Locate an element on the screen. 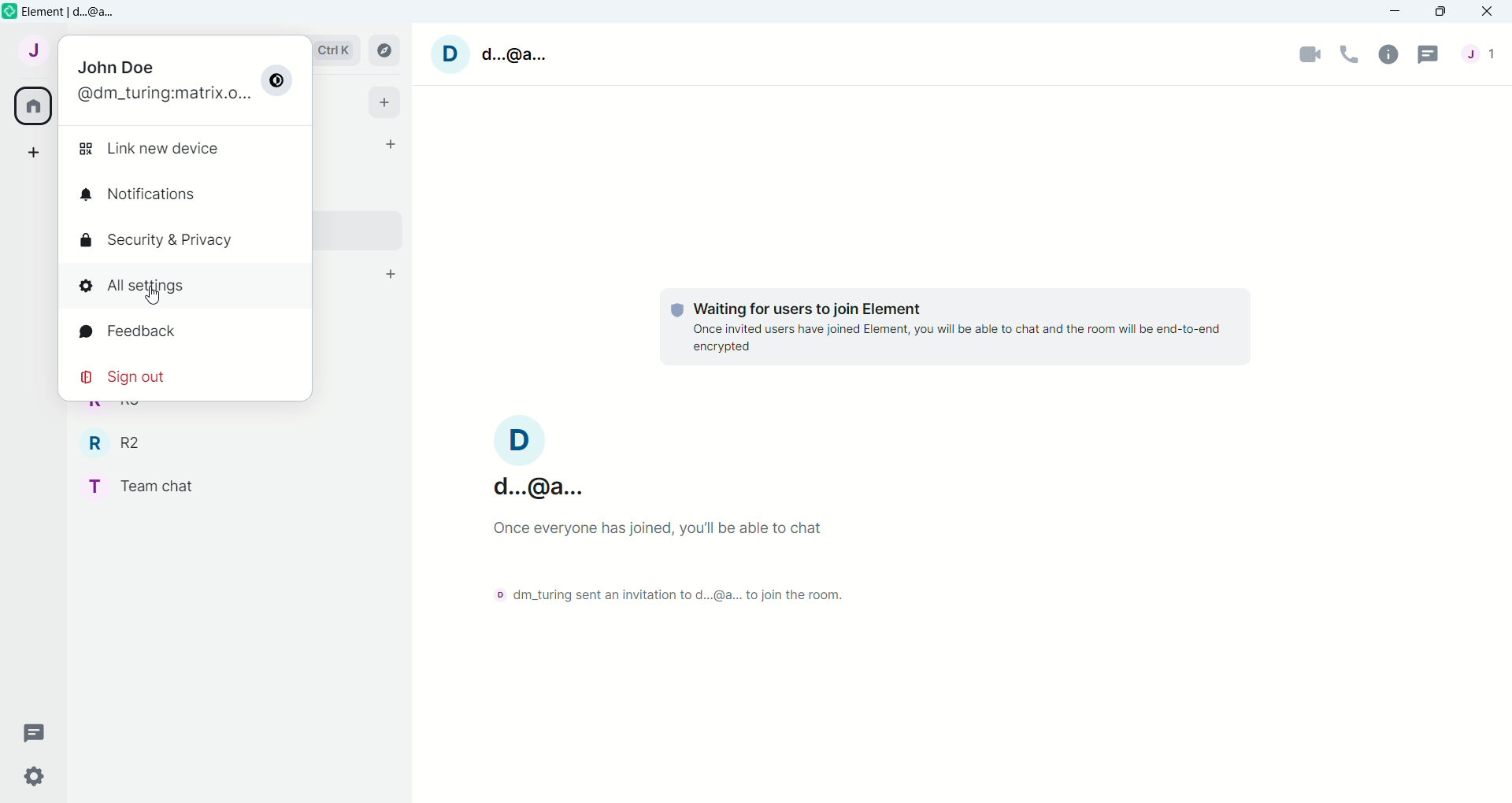  @dm..turing:matrix.org is located at coordinates (160, 93).